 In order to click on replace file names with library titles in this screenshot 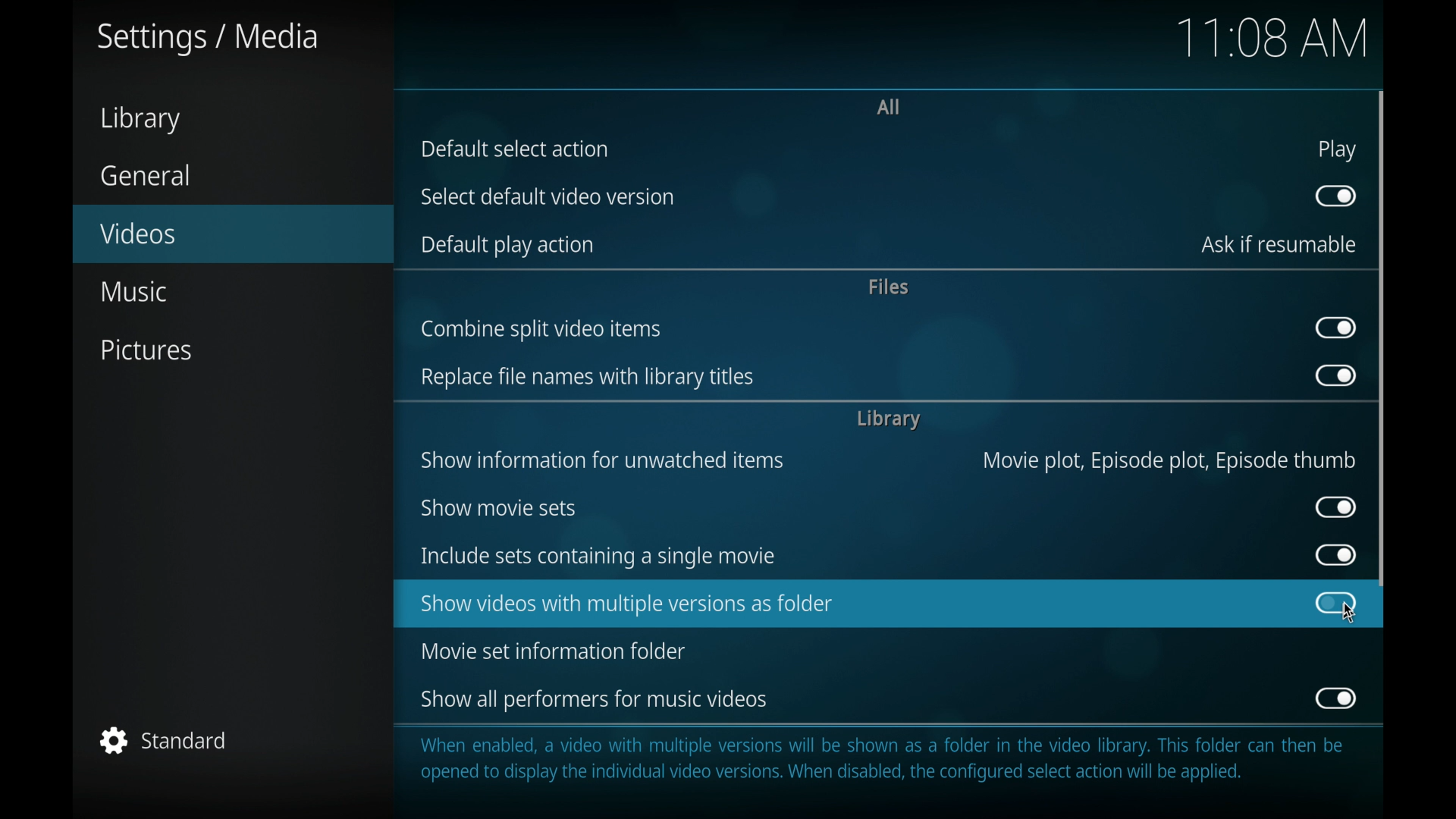, I will do `click(588, 378)`.